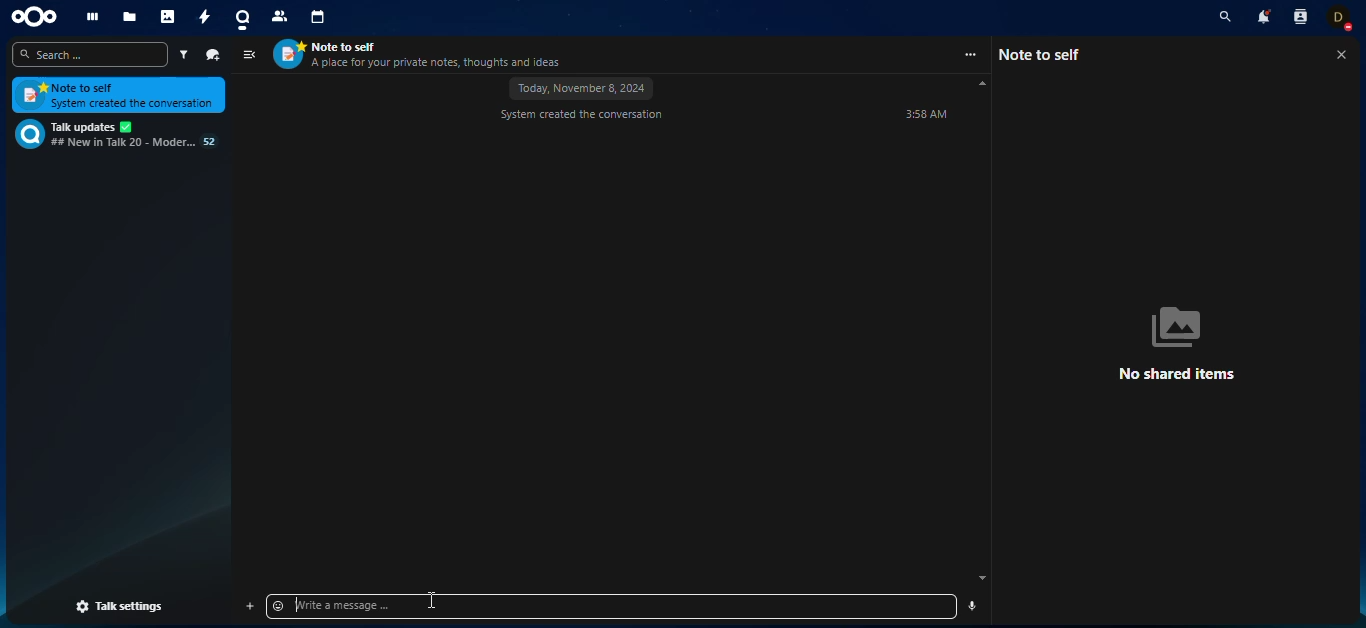 The height and width of the screenshot is (628, 1366). I want to click on photos, so click(170, 17).